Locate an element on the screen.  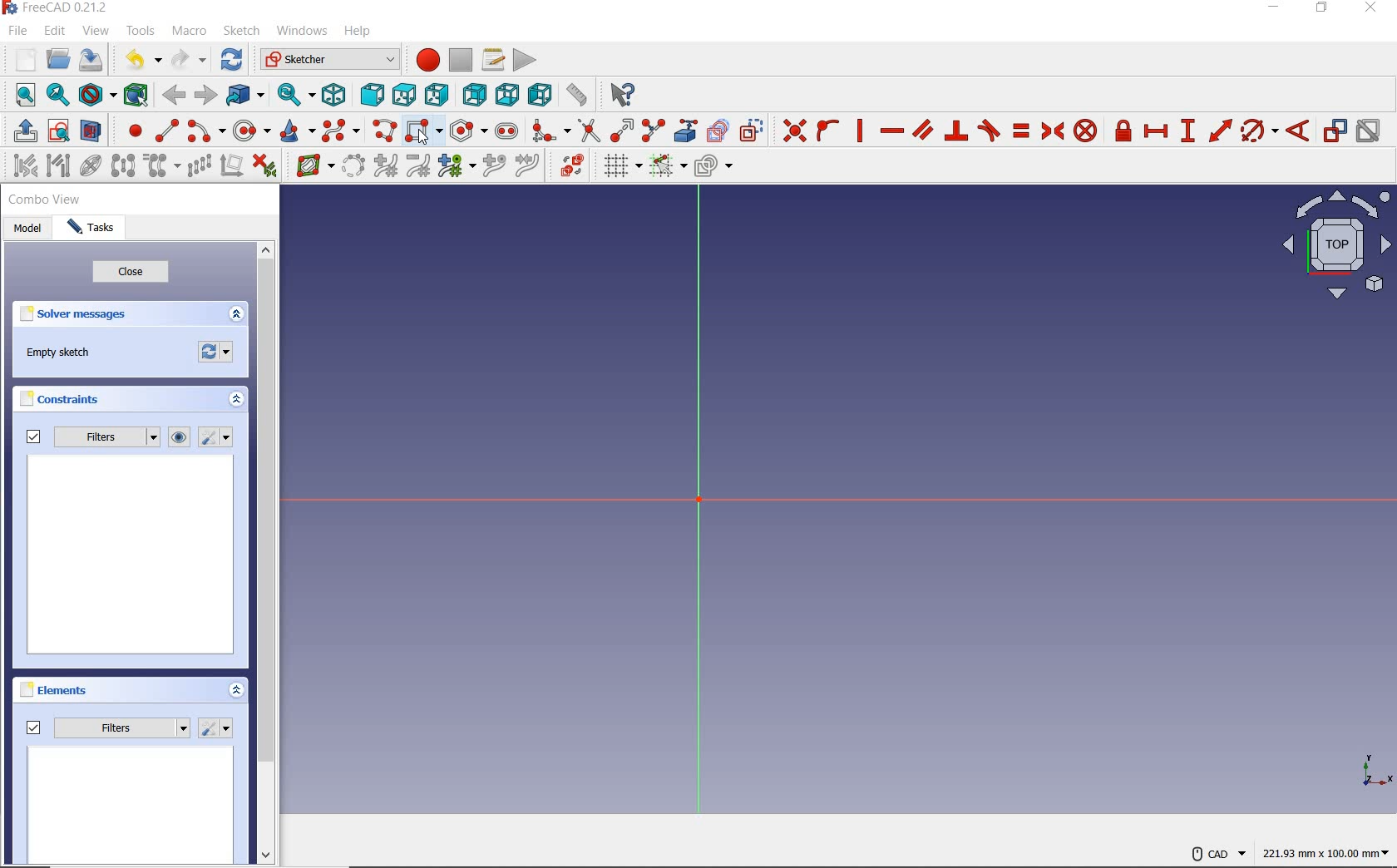
toggle driving constraint is located at coordinates (1335, 131).